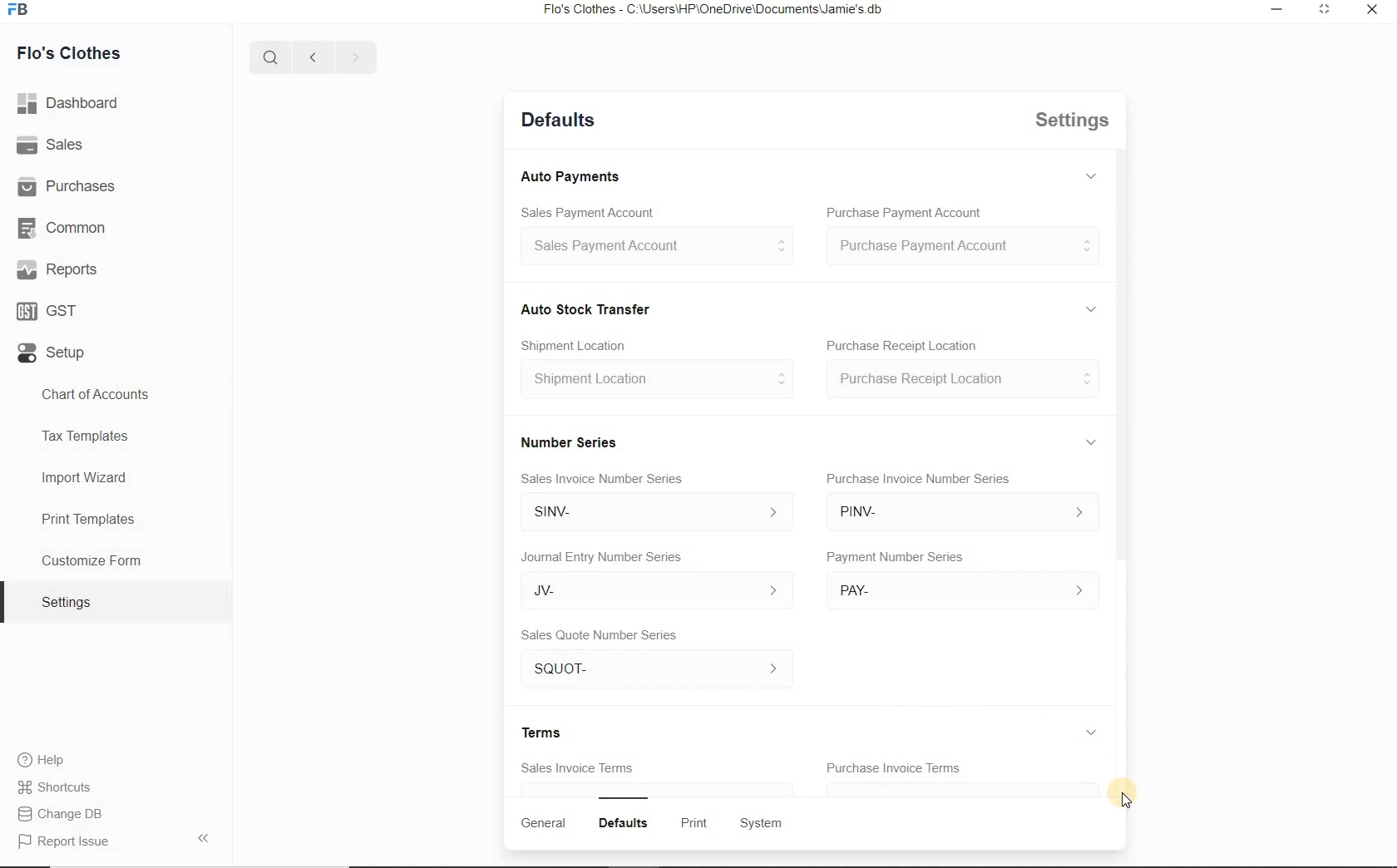 The width and height of the screenshot is (1397, 868). Describe the element at coordinates (763, 824) in the screenshot. I see `System` at that location.